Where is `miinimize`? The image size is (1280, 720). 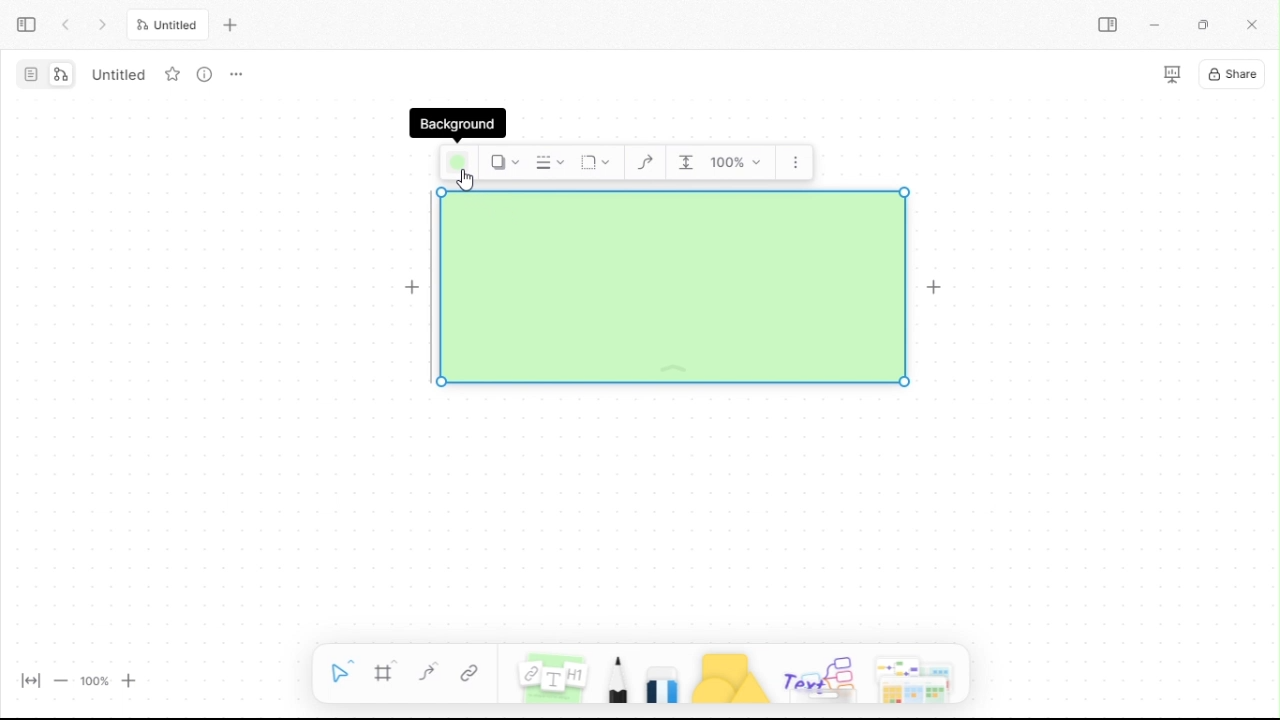 miinimize is located at coordinates (1158, 25).